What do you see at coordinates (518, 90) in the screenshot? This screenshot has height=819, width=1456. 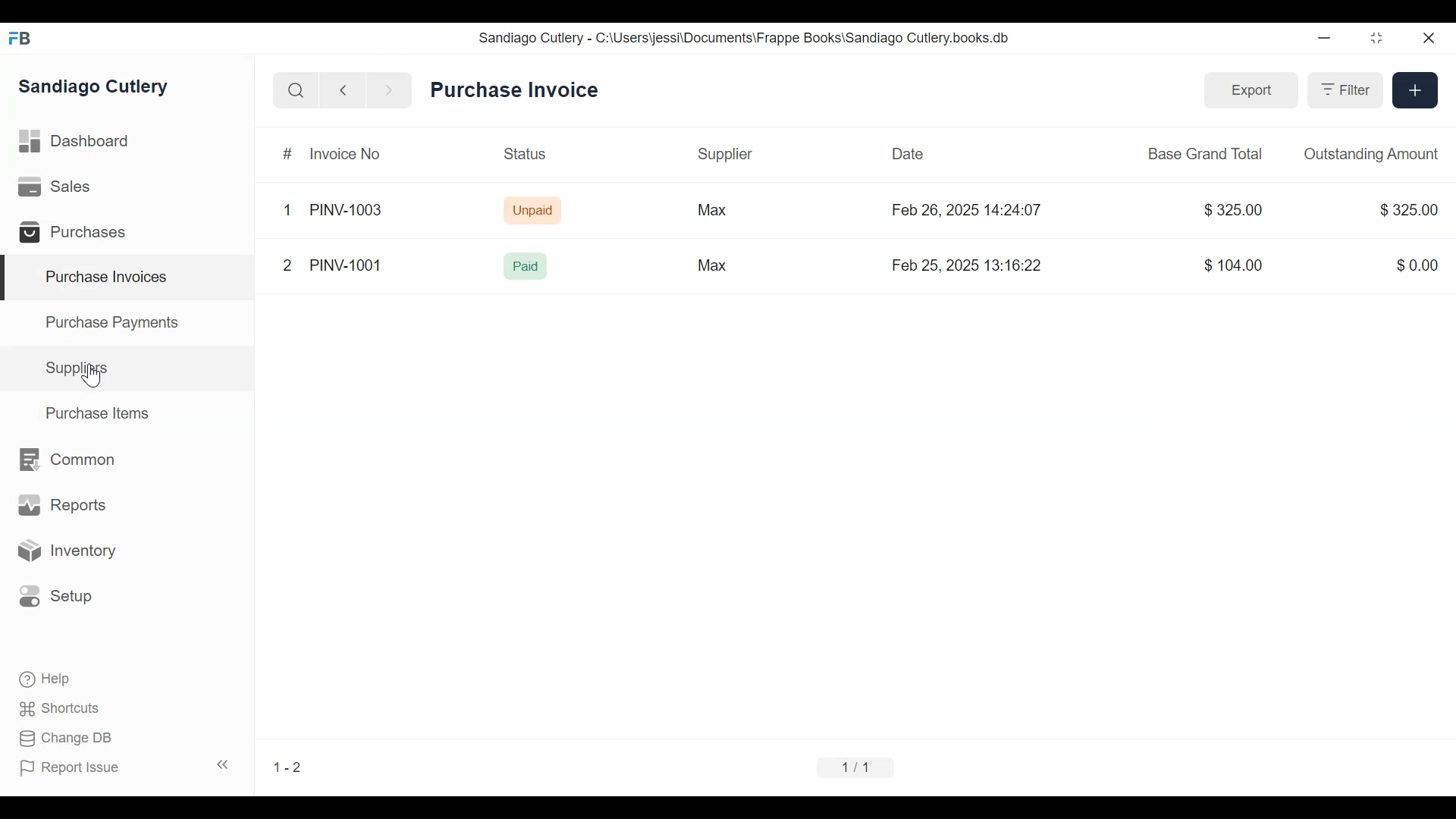 I see `Purchase Invoice` at bounding box center [518, 90].